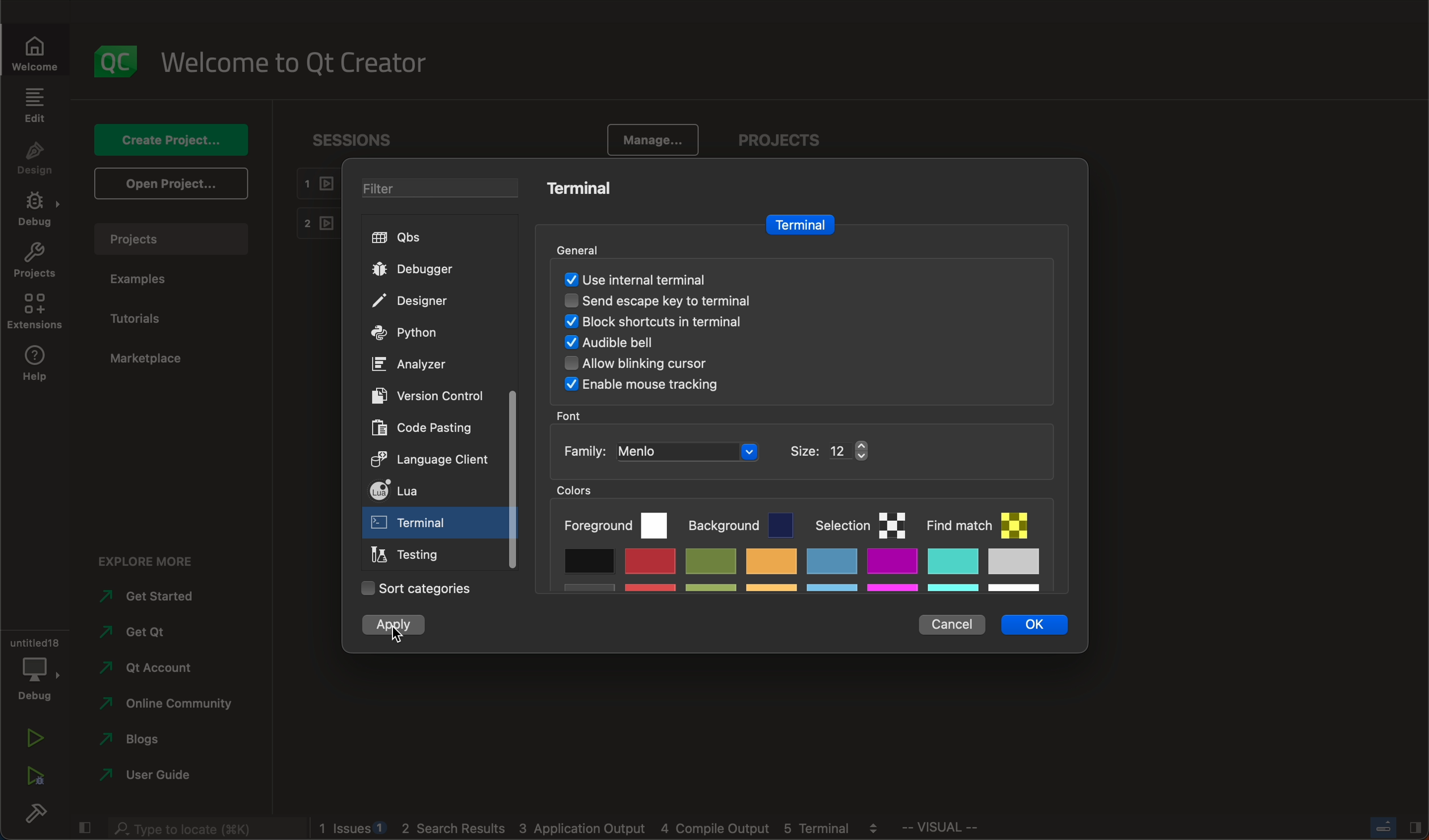  I want to click on design, so click(38, 158).